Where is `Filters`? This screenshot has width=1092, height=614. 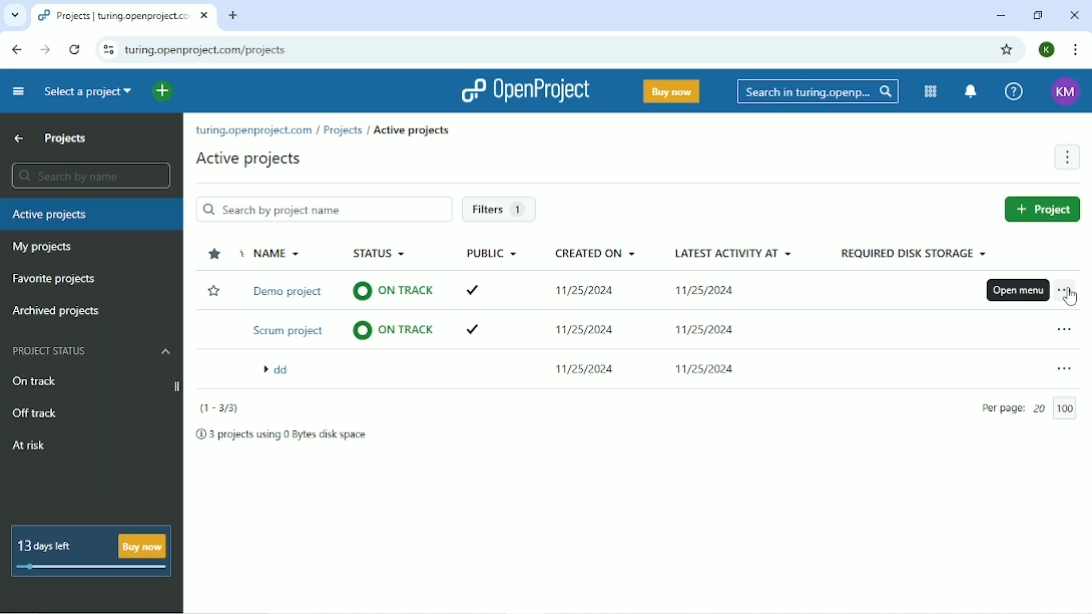
Filters is located at coordinates (502, 209).